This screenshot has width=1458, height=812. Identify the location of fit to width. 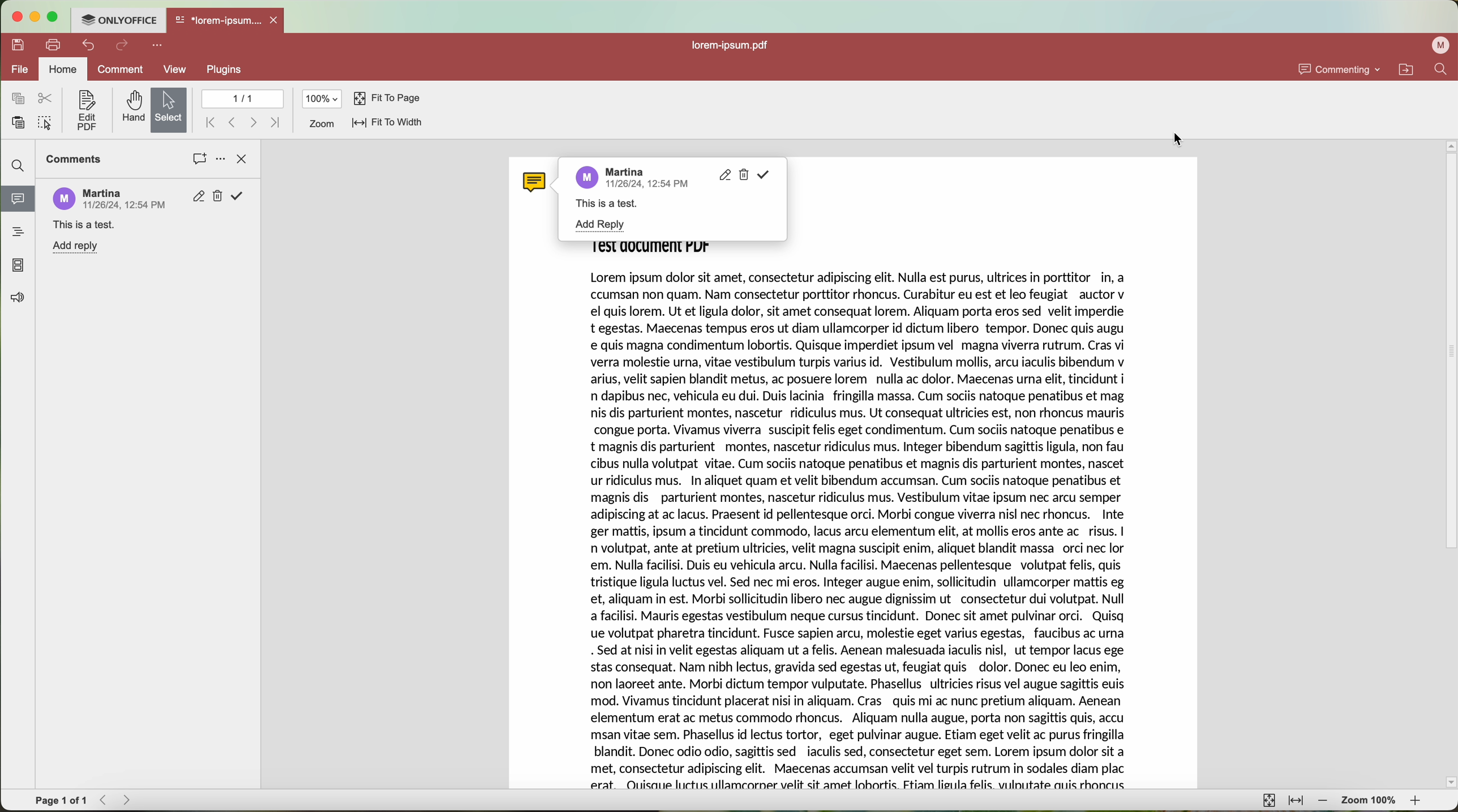
(1297, 803).